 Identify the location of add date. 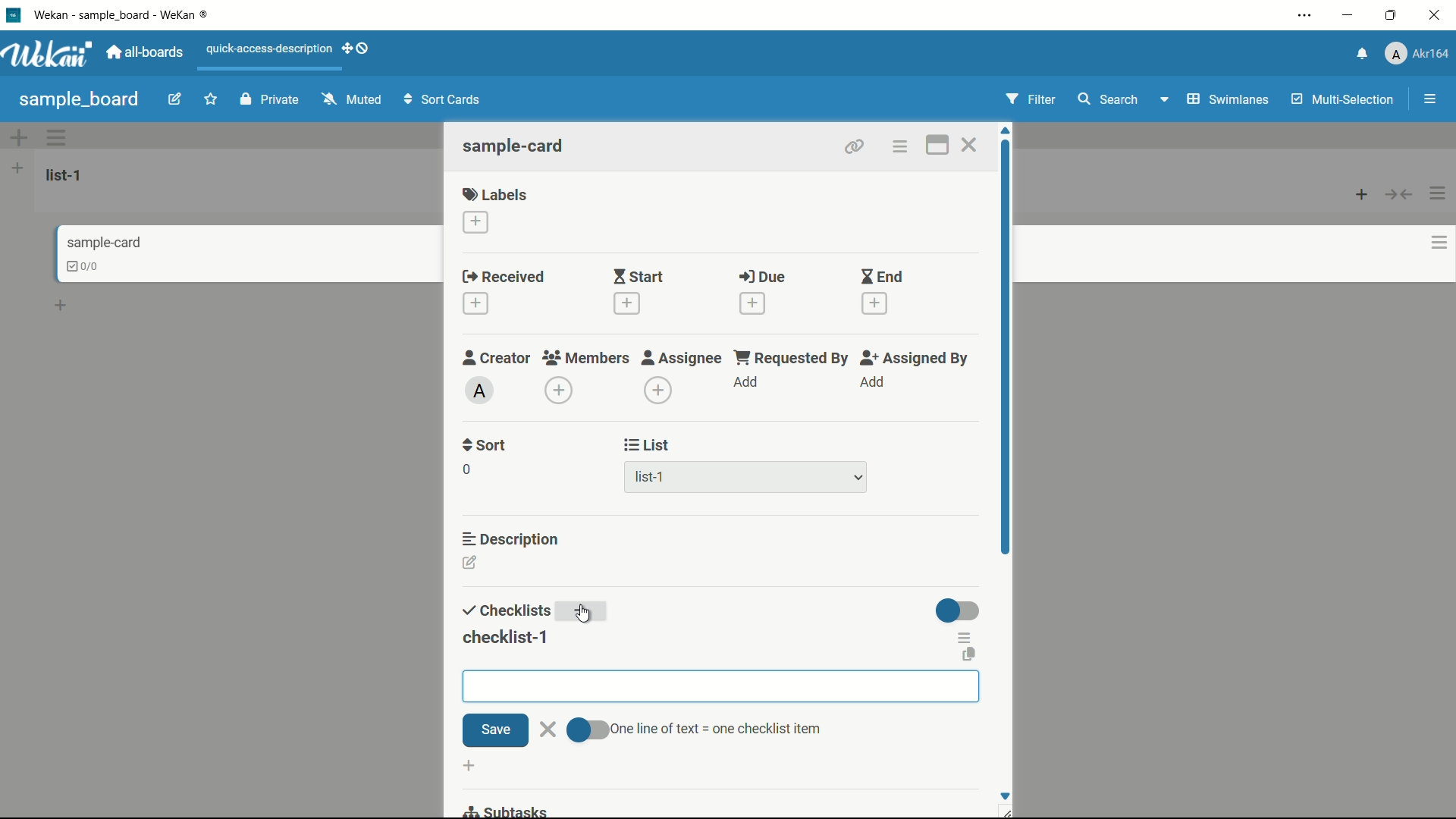
(475, 304).